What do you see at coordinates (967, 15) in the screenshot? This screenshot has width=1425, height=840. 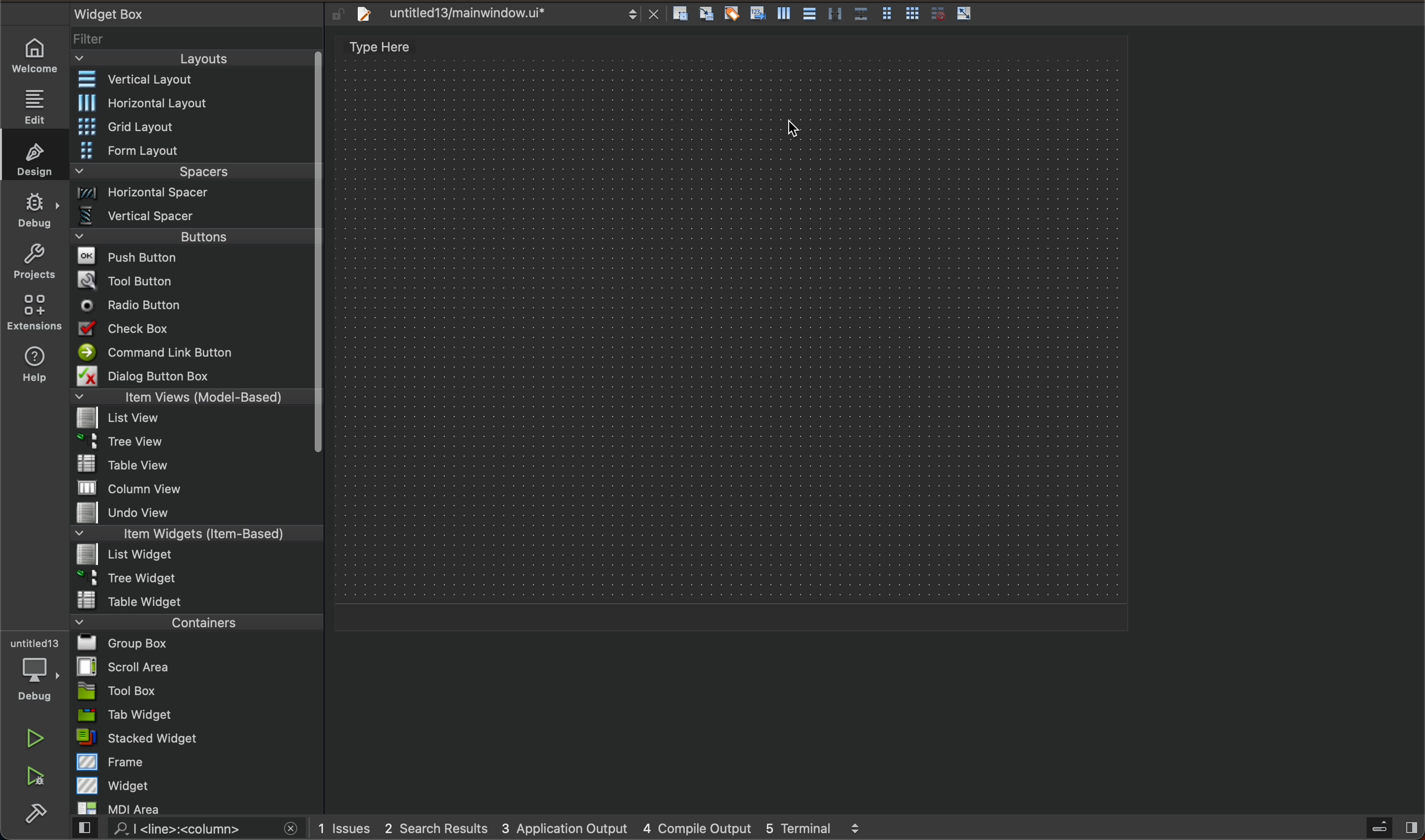 I see `` at bounding box center [967, 15].